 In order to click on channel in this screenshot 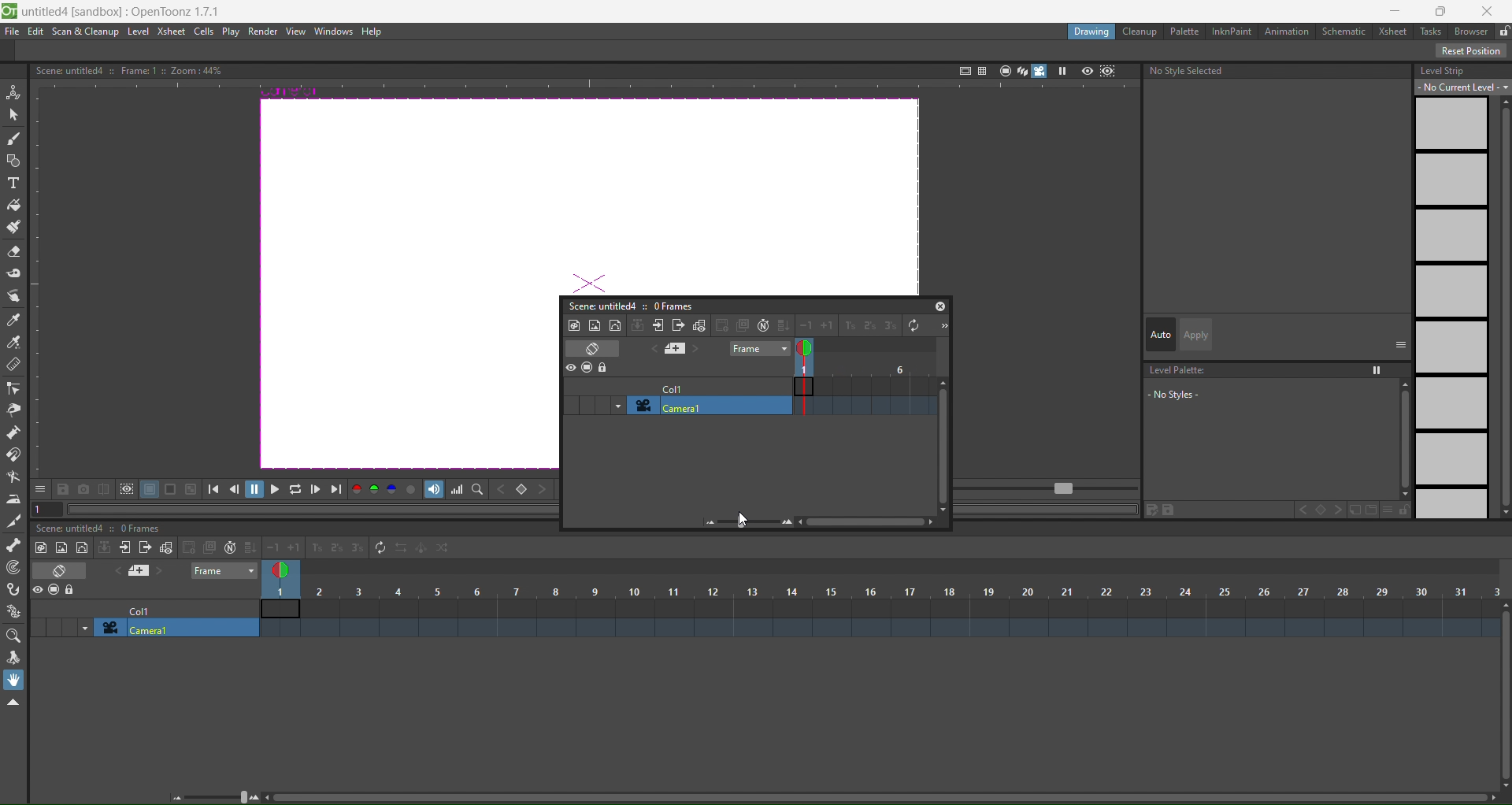, I will do `click(413, 491)`.